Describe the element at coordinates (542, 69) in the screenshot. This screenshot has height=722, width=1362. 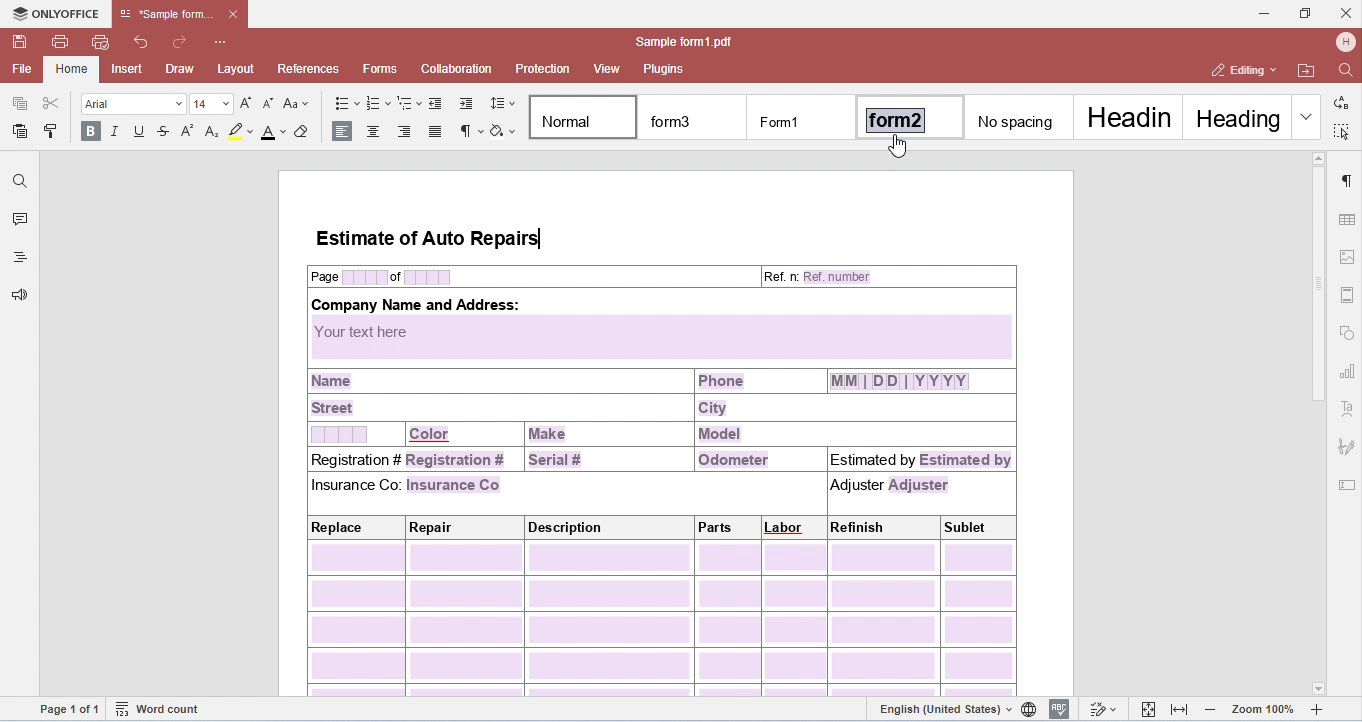
I see `protection` at that location.